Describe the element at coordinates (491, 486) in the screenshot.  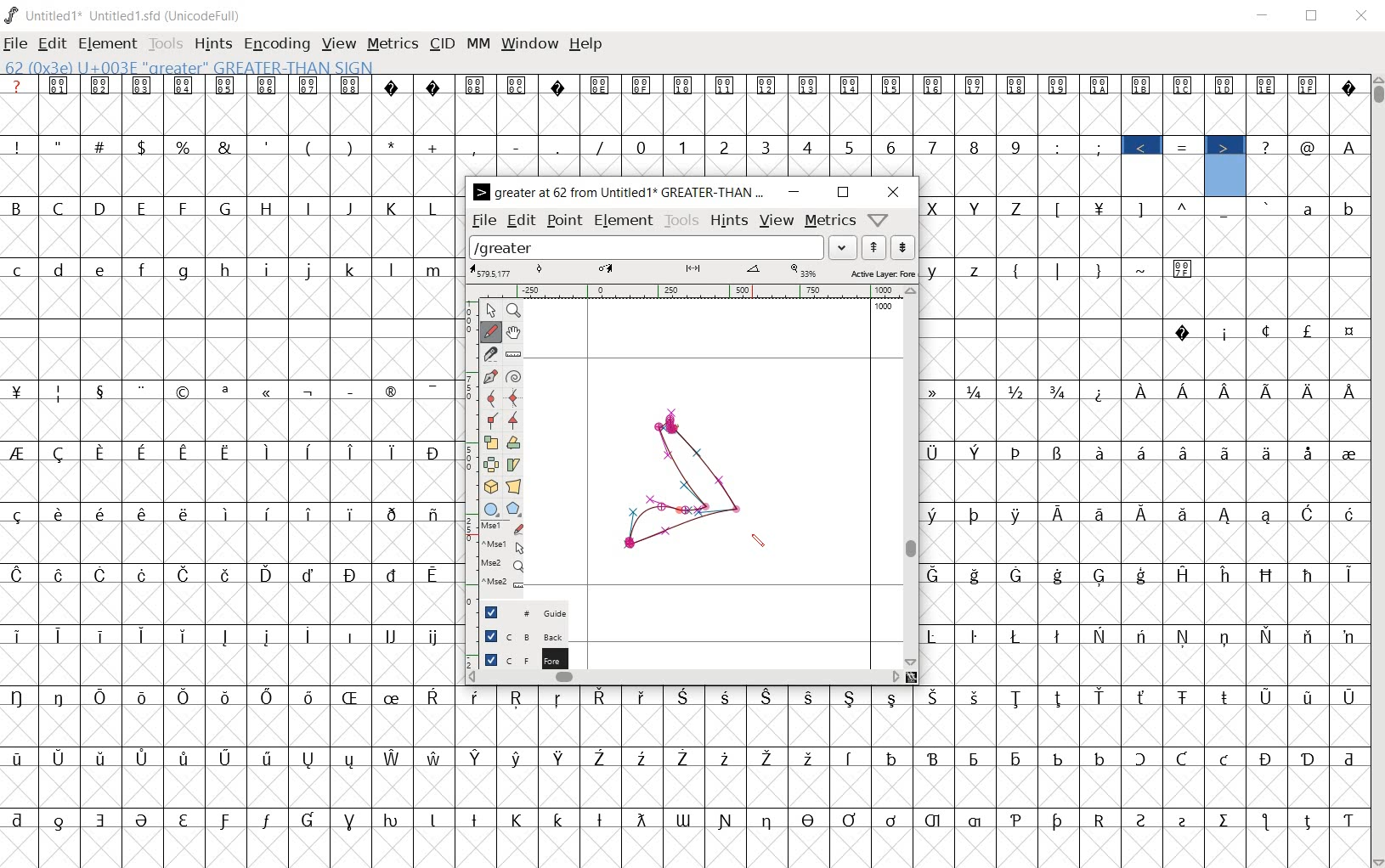
I see `rotate the selection in 3D and project back to plane` at that location.